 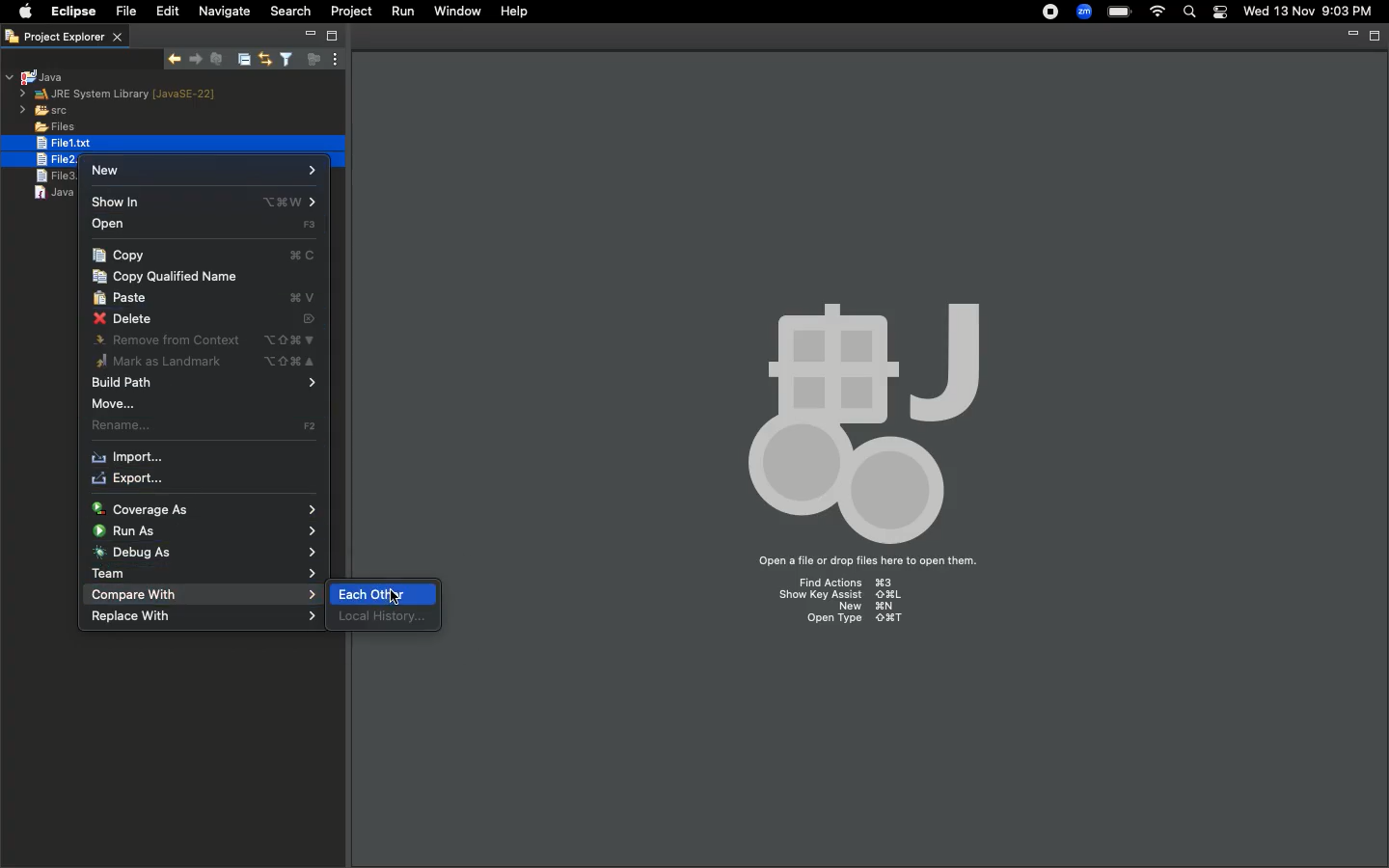 What do you see at coordinates (862, 407) in the screenshot?
I see `Icon` at bounding box center [862, 407].